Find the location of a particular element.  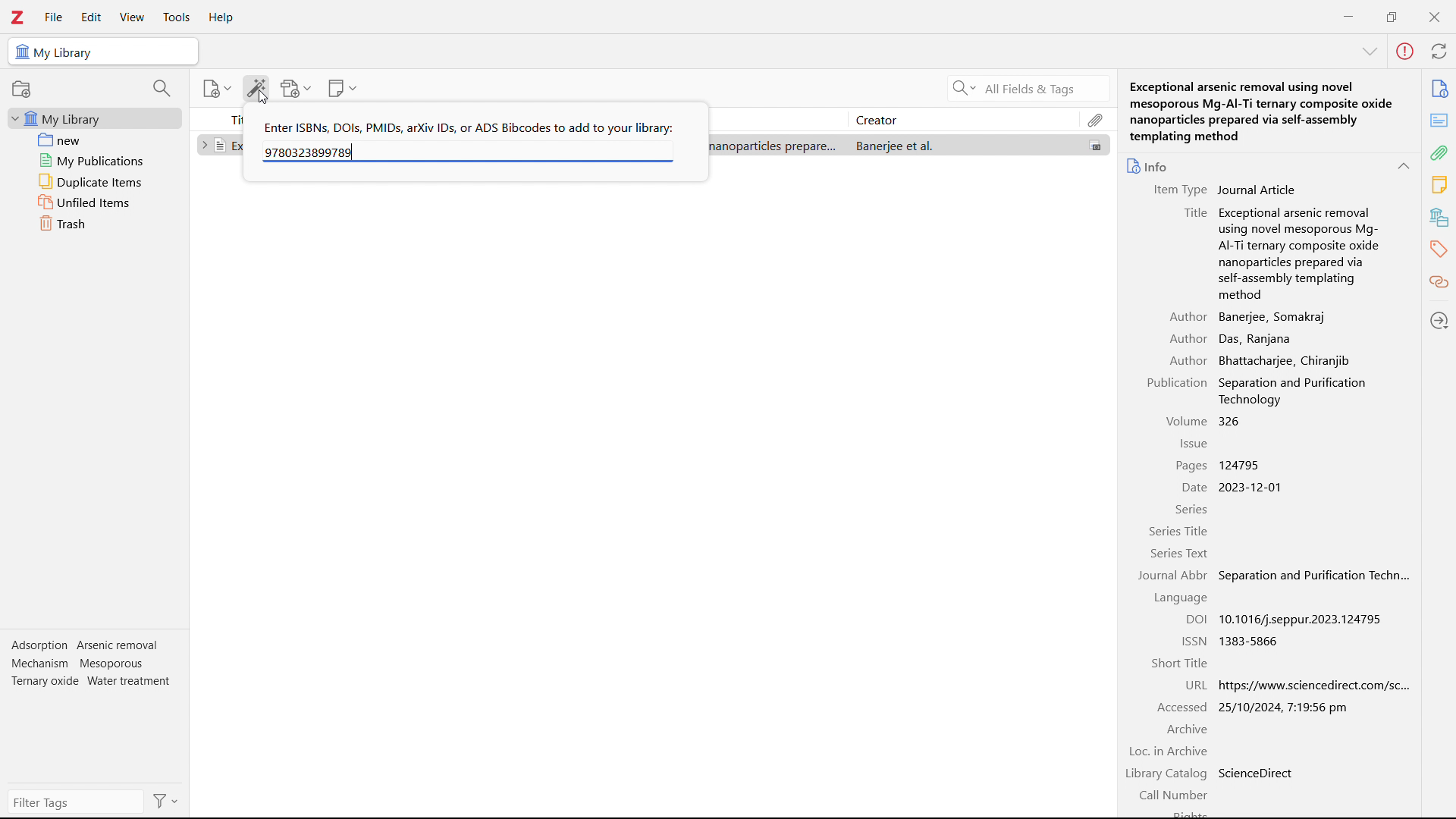

abstract is located at coordinates (1439, 121).